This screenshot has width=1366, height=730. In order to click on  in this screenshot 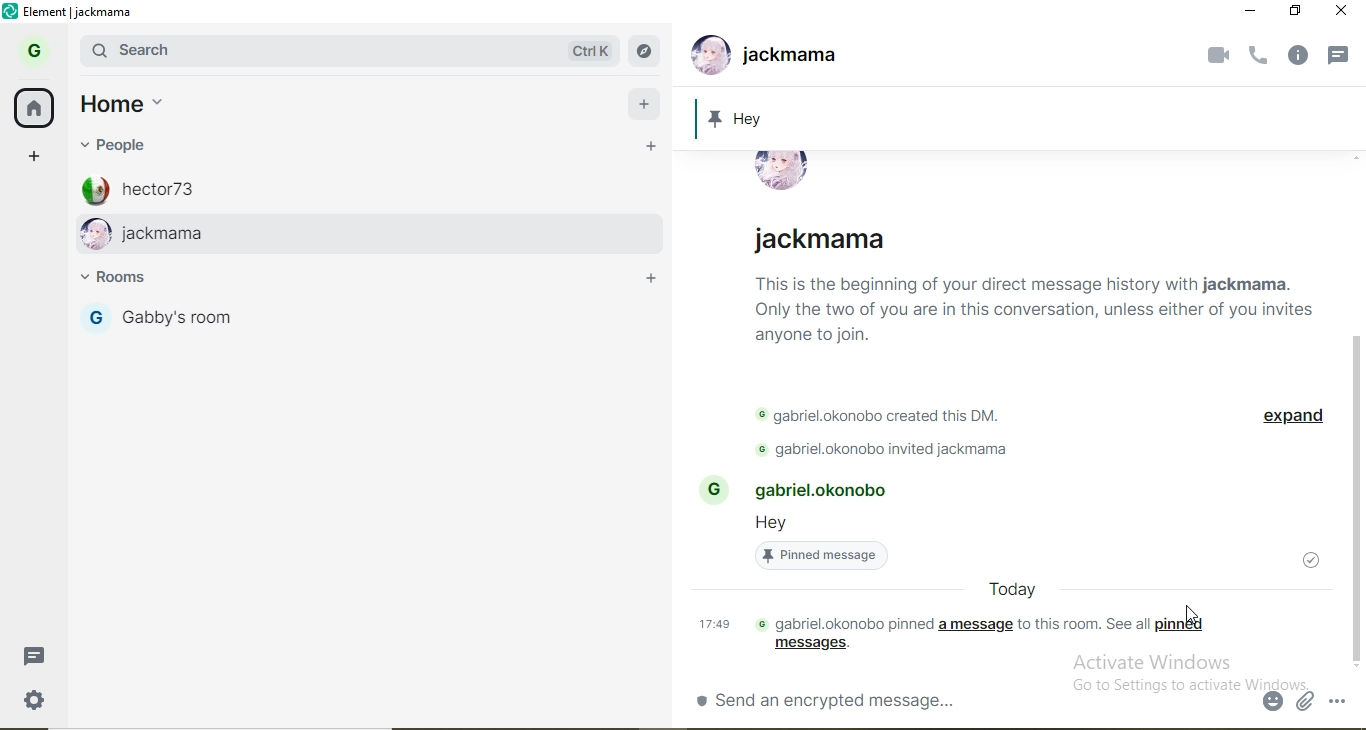, I will do `click(875, 450)`.